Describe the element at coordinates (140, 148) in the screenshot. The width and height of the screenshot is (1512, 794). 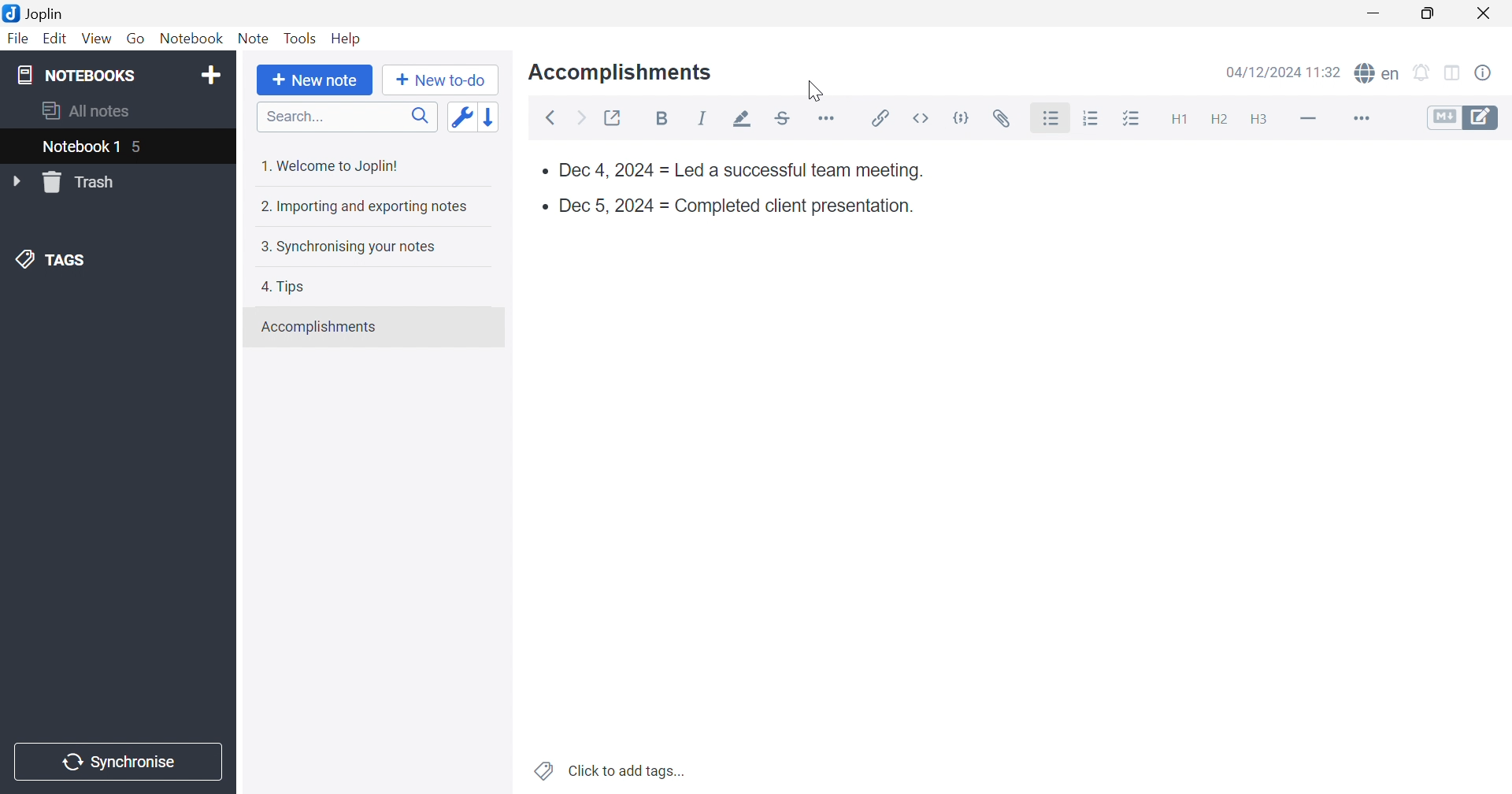
I see `5` at that location.